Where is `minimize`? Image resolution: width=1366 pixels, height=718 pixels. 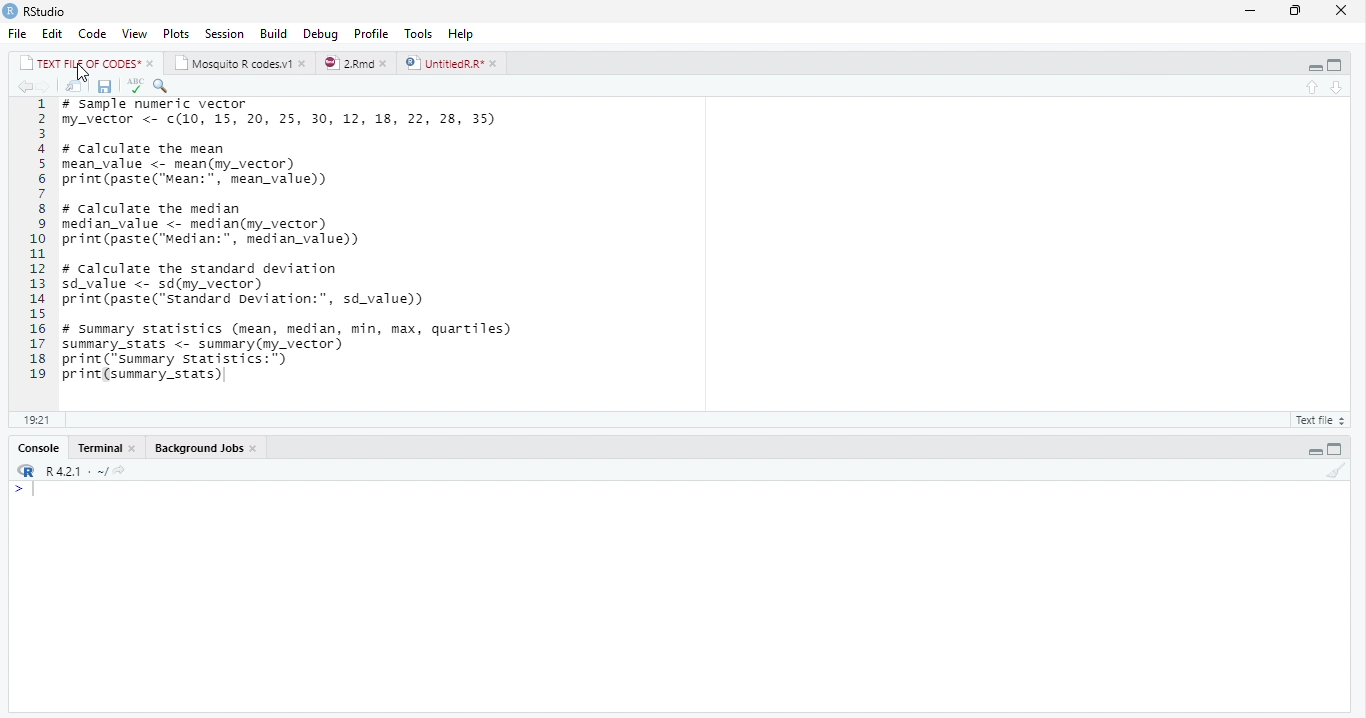 minimize is located at coordinates (1315, 66).